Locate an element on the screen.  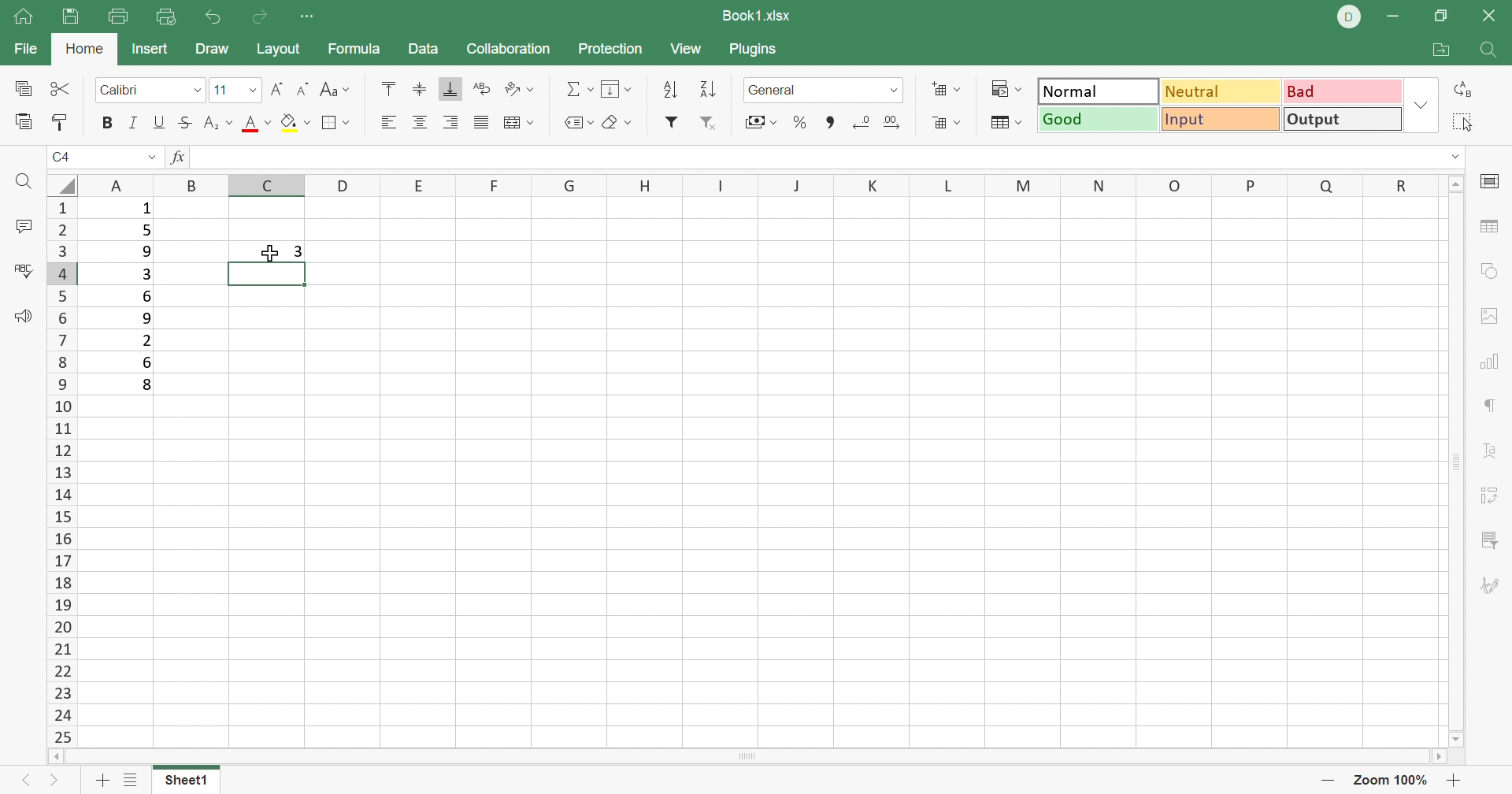
Wrap text is located at coordinates (480, 90).